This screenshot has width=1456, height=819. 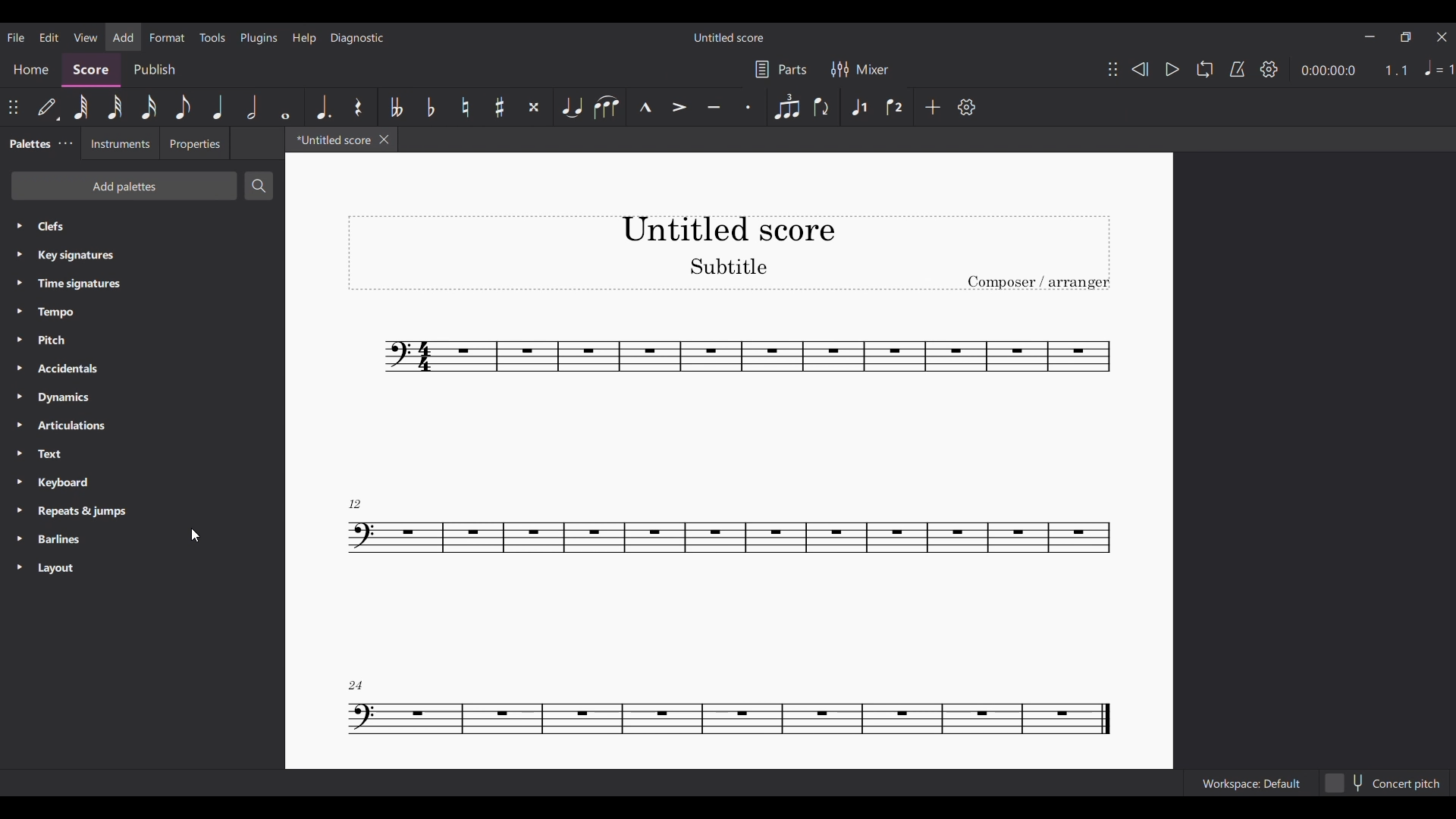 I want to click on workspace: Default, so click(x=1250, y=782).